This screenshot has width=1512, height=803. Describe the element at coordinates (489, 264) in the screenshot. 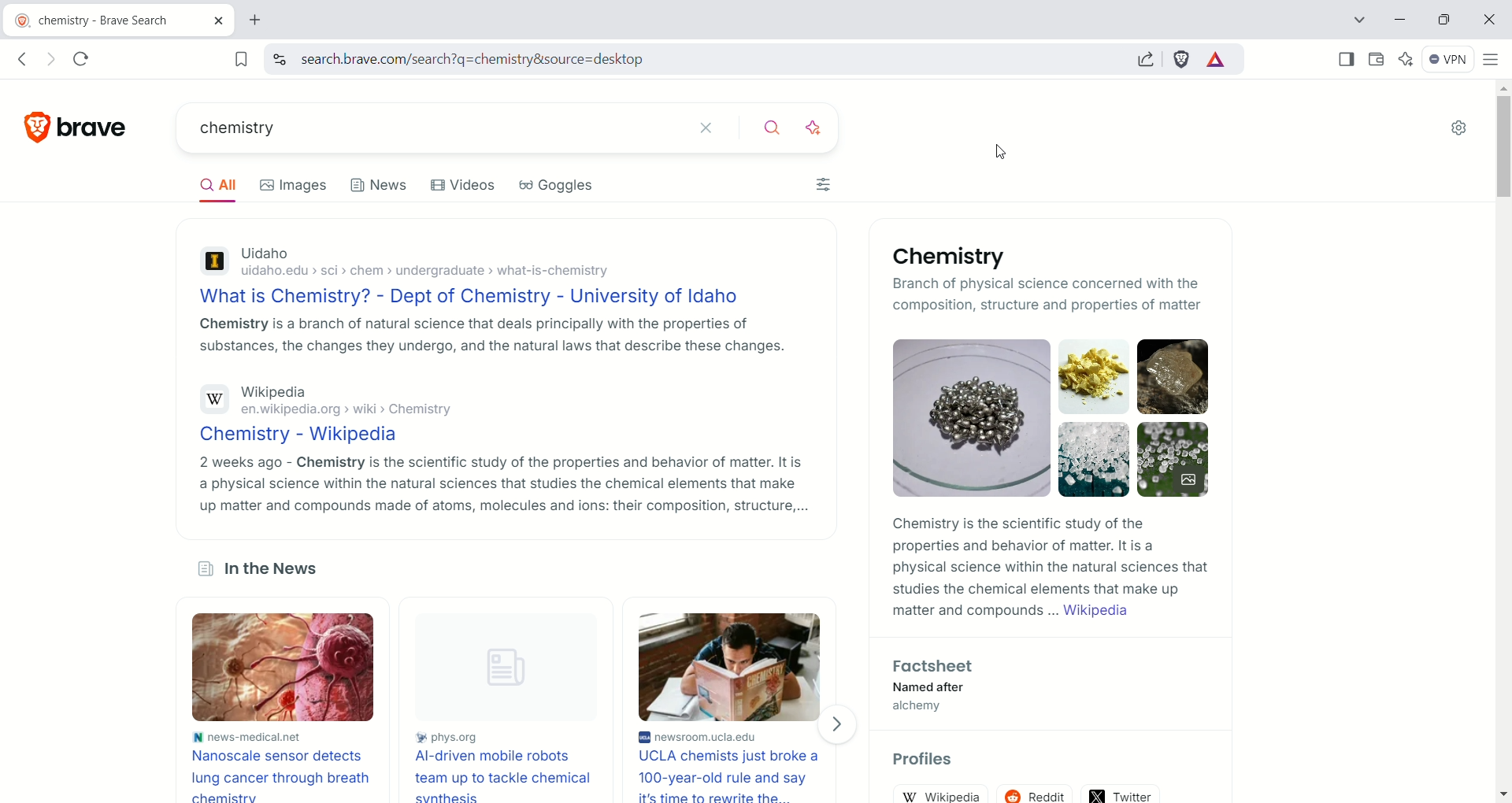

I see `Uidaho: uidaho.edu > sci > chem > undergraduate > what-is-chemistry` at that location.